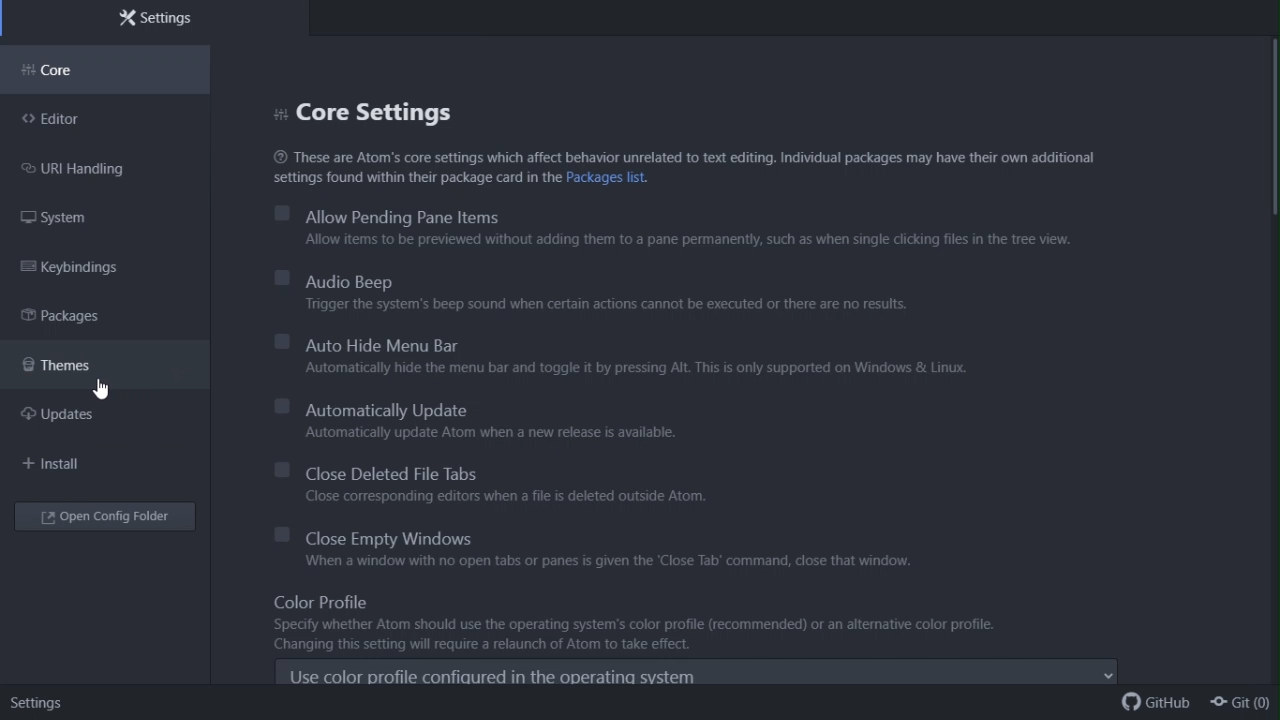 This screenshot has width=1280, height=720. What do you see at coordinates (686, 157) in the screenshot?
I see `These are Atom’s core settings which affect behavior unrelated to text editing. Individual packages may have their own additional` at bounding box center [686, 157].